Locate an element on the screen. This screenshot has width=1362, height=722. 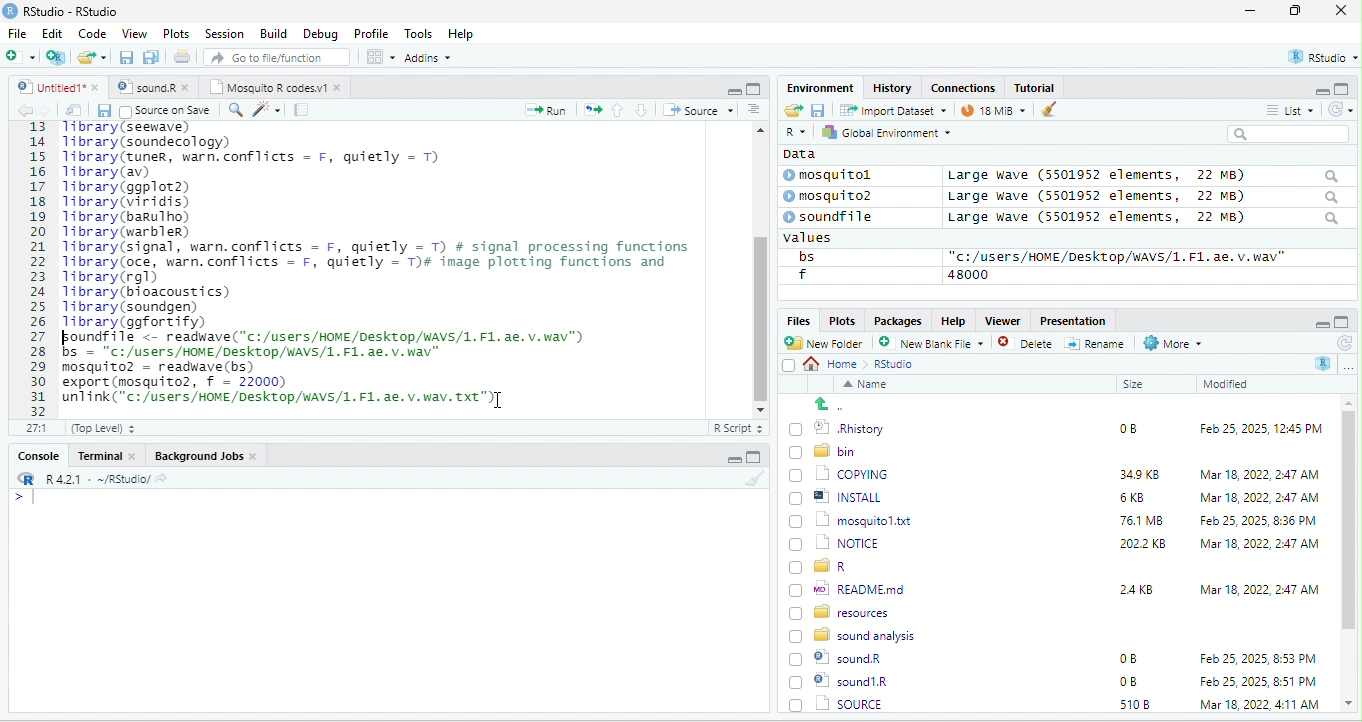
” Go to file/function is located at coordinates (278, 59).